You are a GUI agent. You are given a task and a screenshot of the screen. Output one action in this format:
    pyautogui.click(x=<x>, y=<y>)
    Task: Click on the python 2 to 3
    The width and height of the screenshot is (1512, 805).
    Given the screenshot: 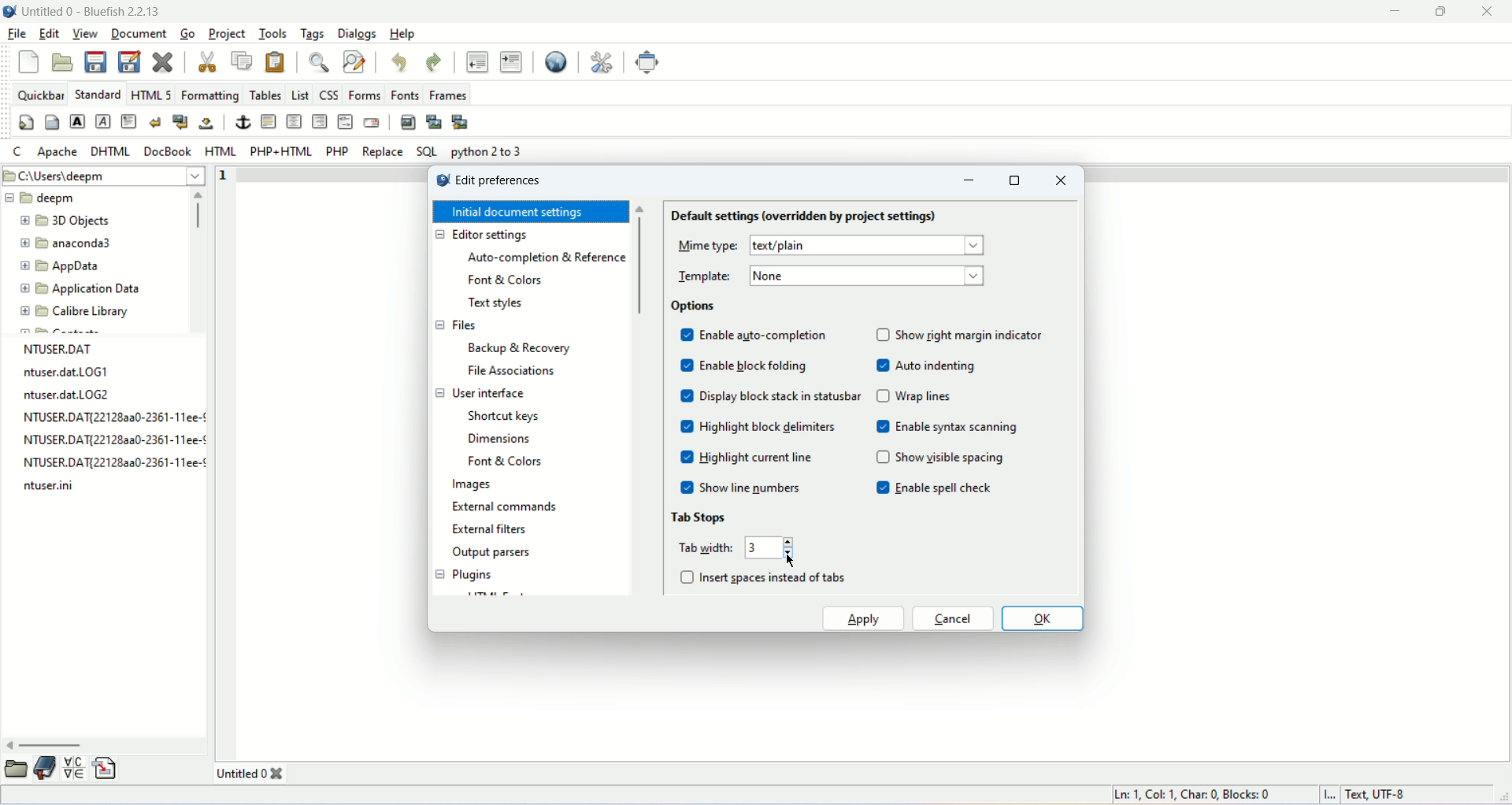 What is the action you would take?
    pyautogui.click(x=491, y=153)
    